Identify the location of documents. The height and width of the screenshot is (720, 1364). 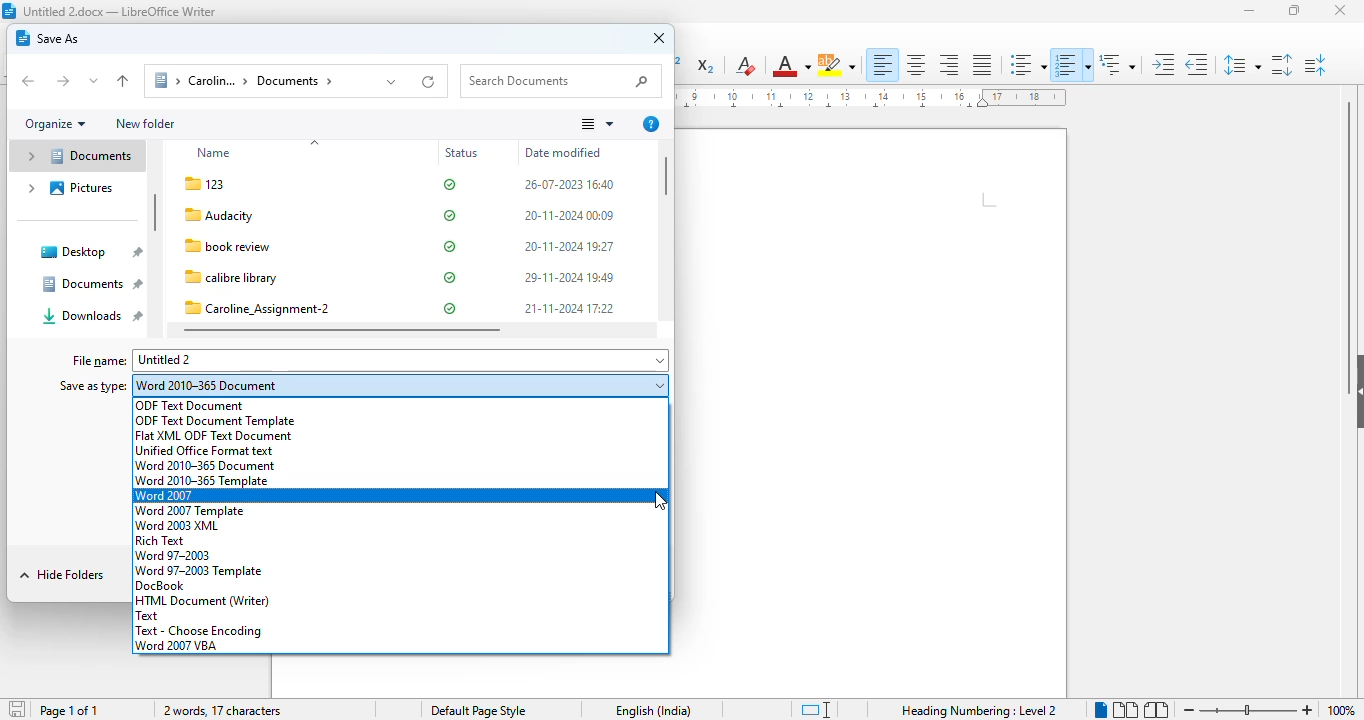
(256, 81).